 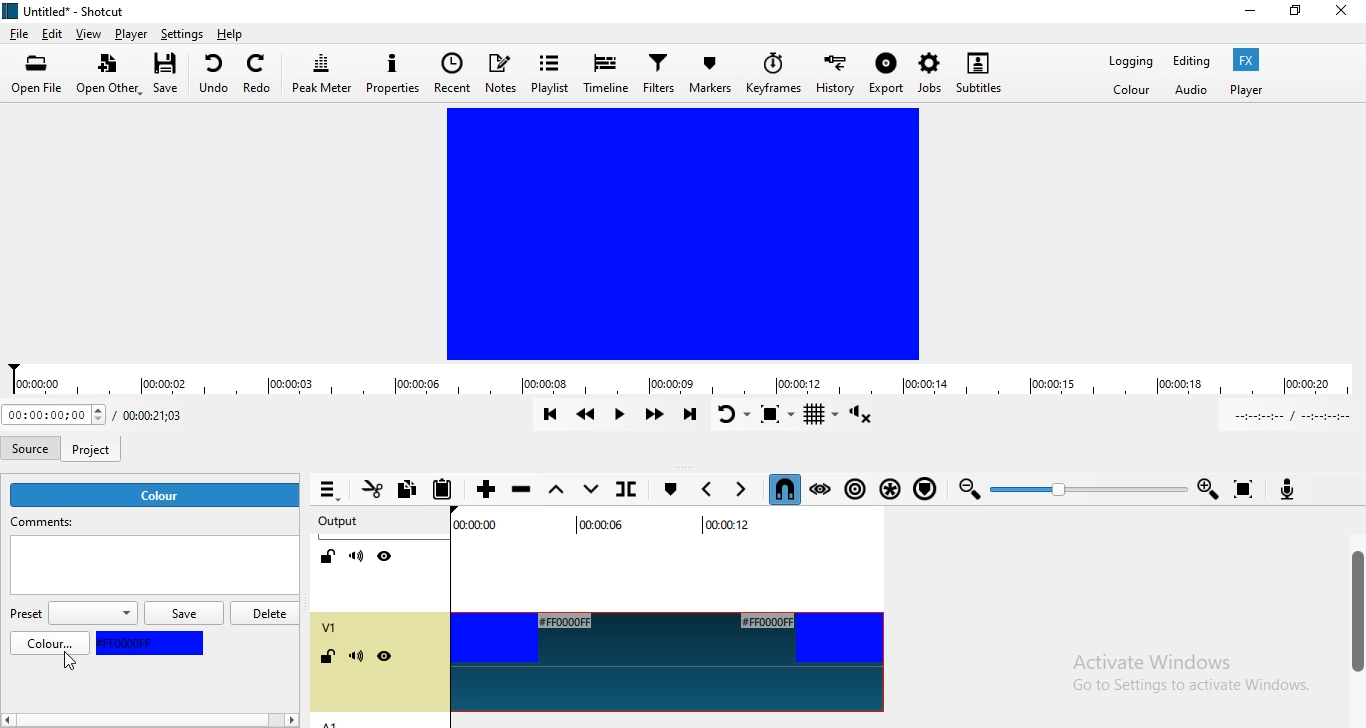 What do you see at coordinates (267, 612) in the screenshot?
I see `delete` at bounding box center [267, 612].